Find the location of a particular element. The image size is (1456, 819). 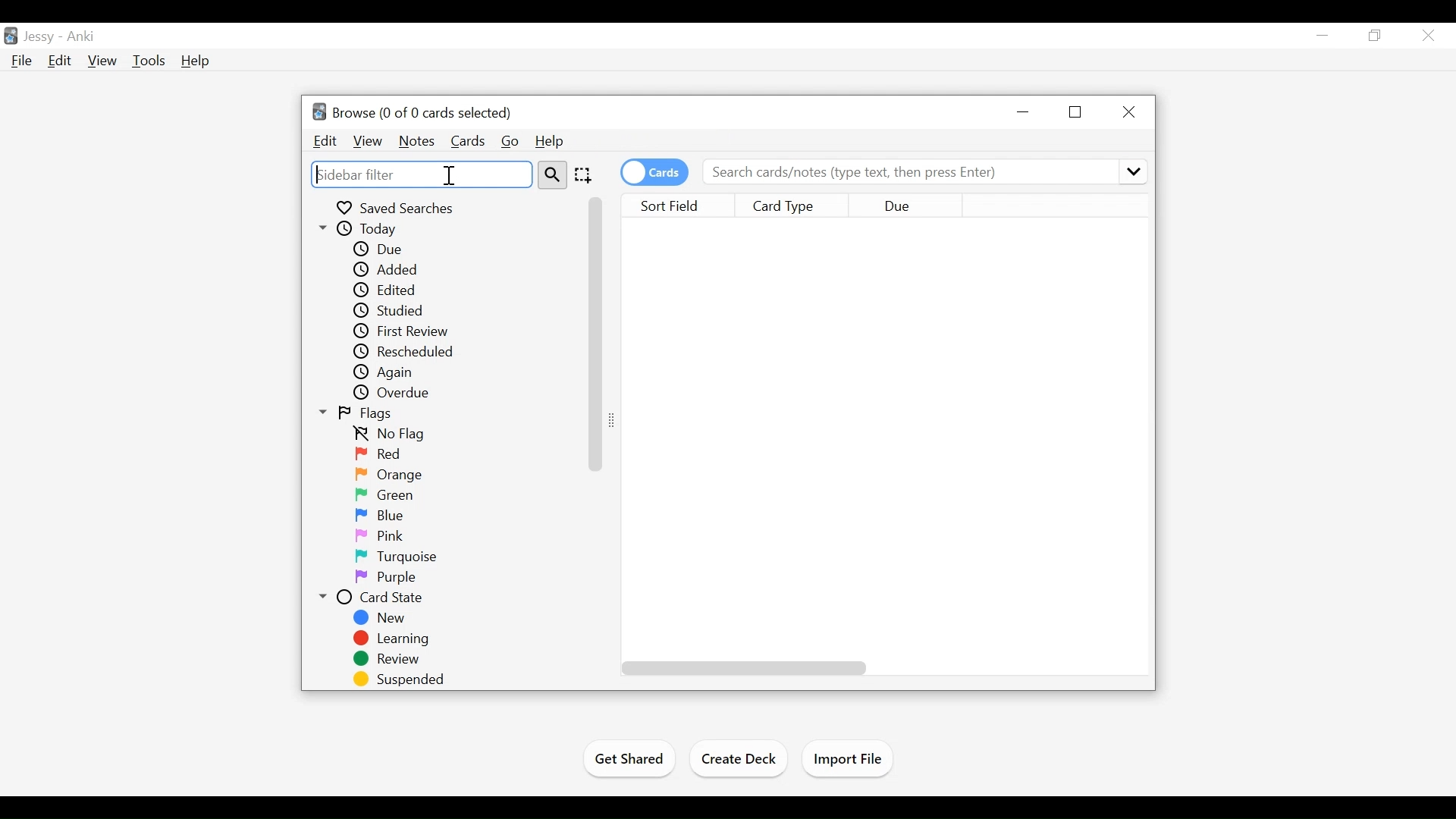

View is located at coordinates (367, 141).